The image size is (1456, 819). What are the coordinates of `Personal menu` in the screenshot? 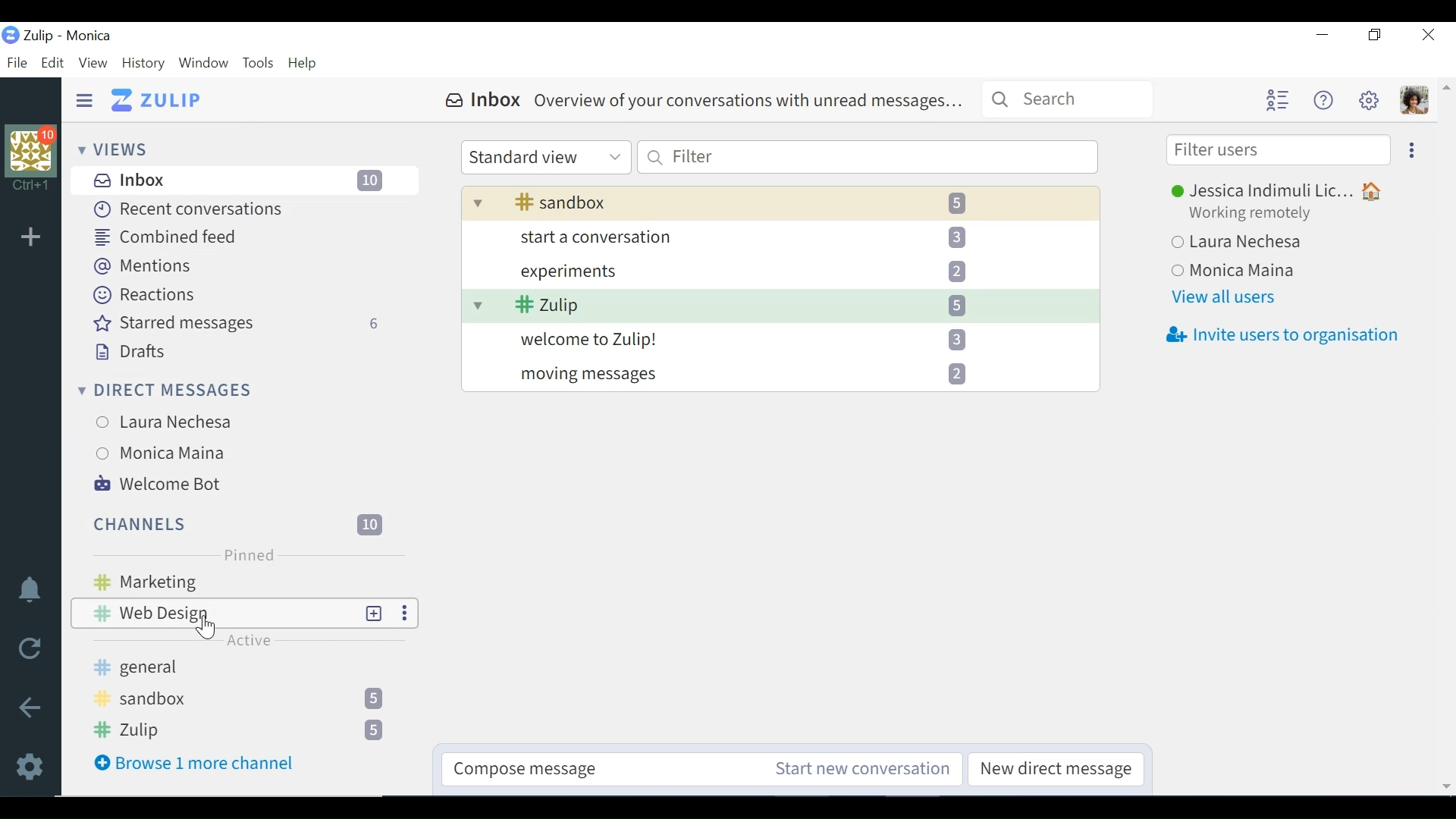 It's located at (1413, 101).